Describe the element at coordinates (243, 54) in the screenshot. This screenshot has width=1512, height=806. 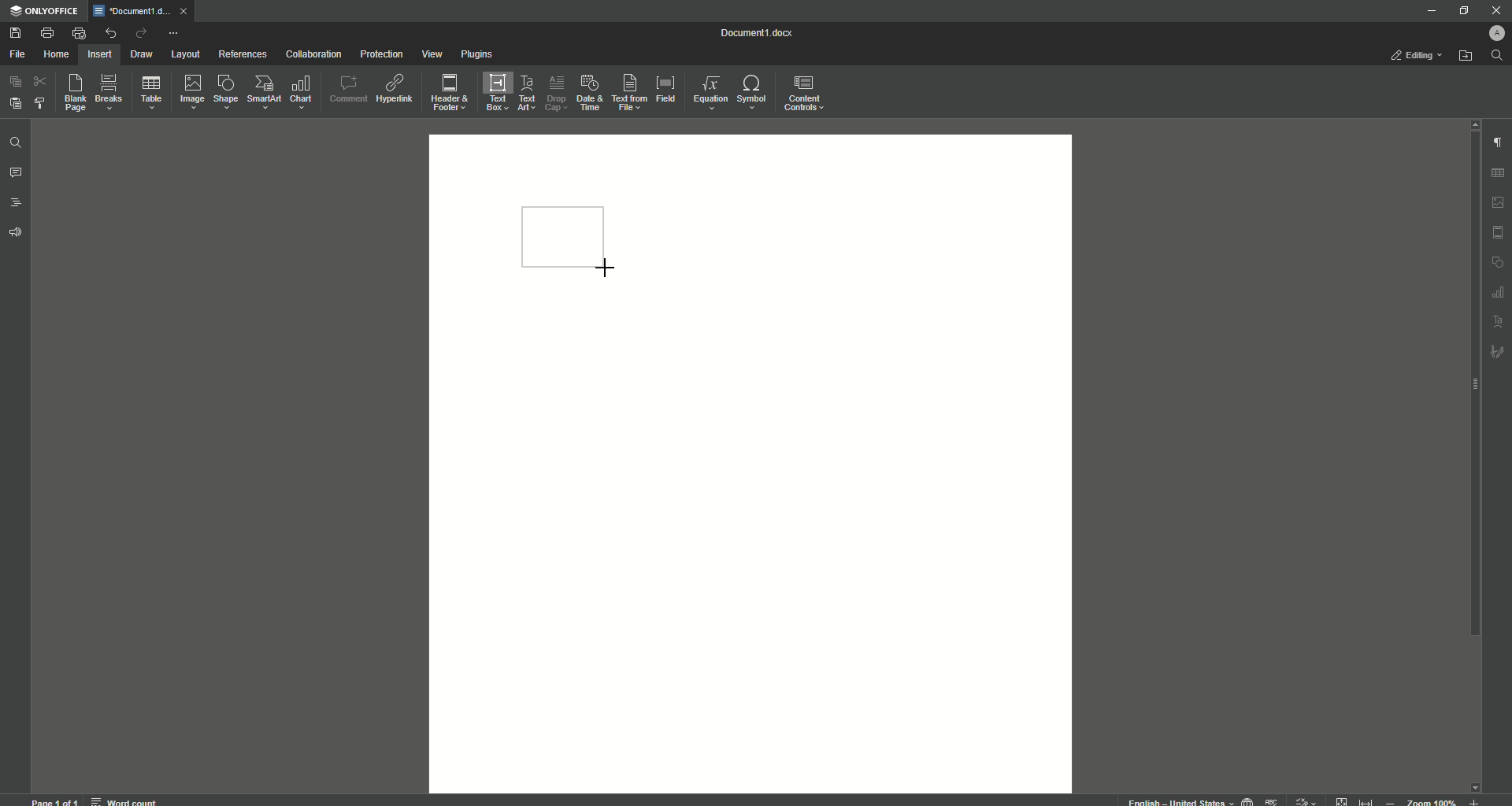
I see `References` at that location.